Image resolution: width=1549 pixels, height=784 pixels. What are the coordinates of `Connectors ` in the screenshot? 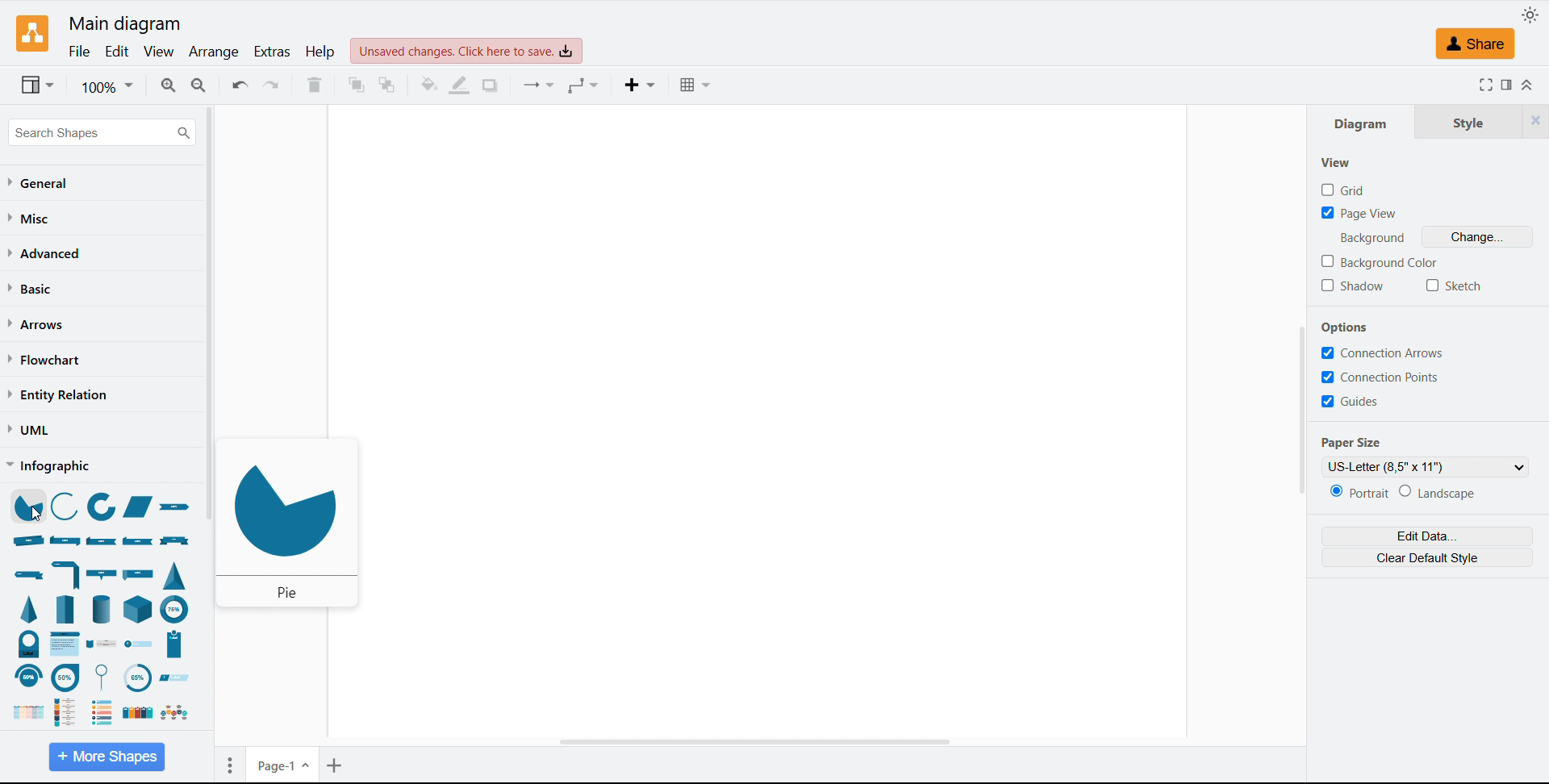 It's located at (540, 85).